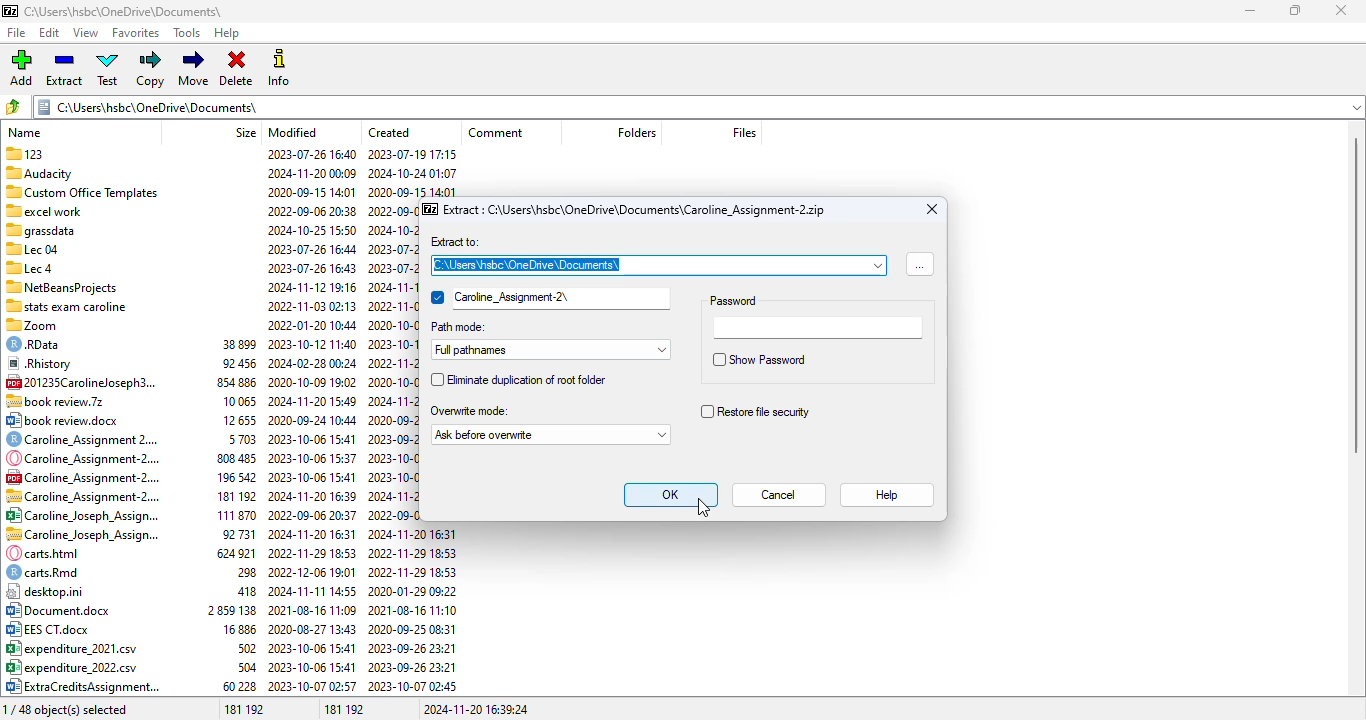 Image resolution: width=1366 pixels, height=720 pixels. What do you see at coordinates (232, 667) in the screenshot?
I see `expenditure 2022.csv 504 2023-10-06 15:41 2023-09-26 23:21` at bounding box center [232, 667].